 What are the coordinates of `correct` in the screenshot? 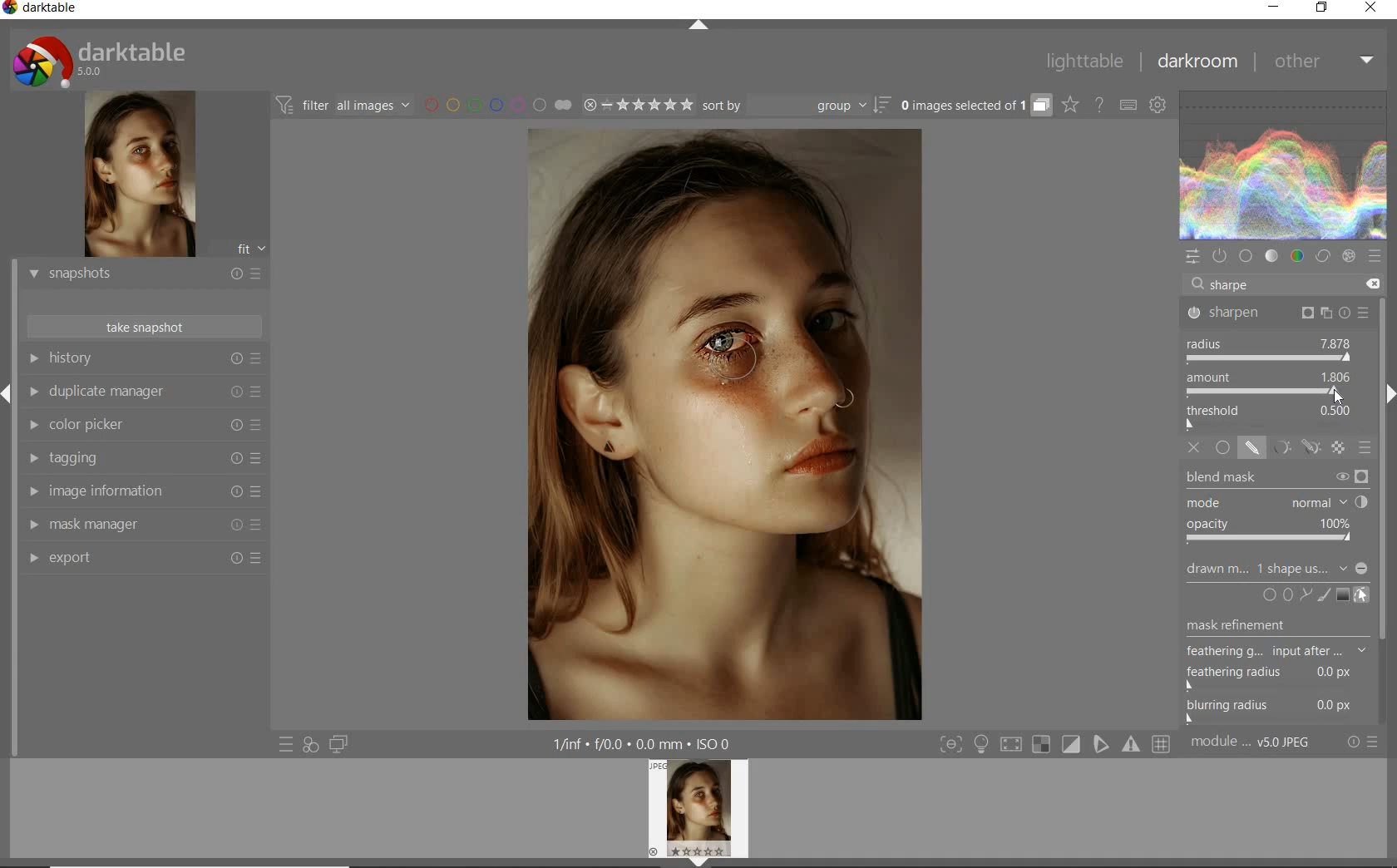 It's located at (1322, 258).